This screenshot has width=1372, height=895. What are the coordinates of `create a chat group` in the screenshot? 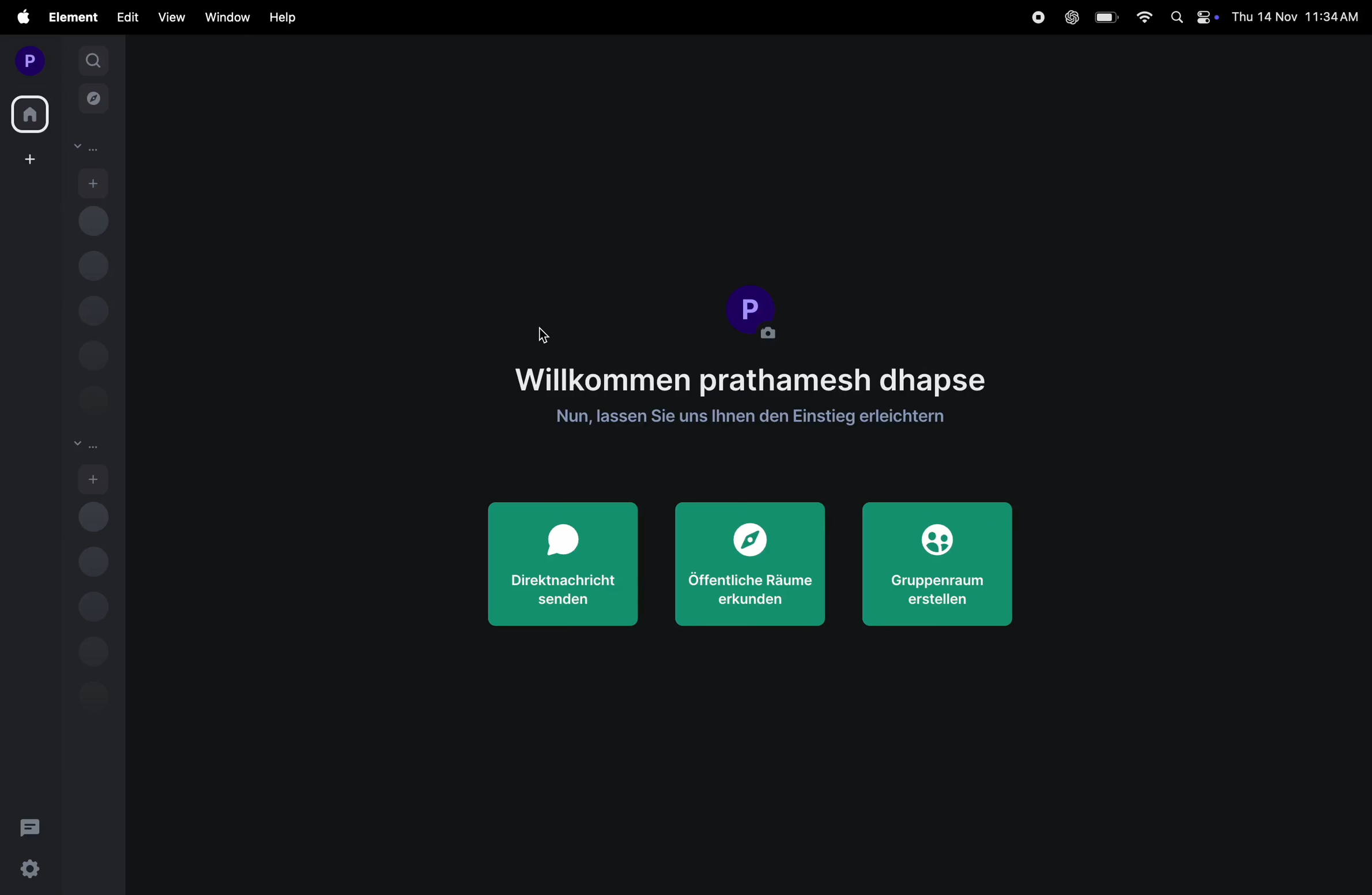 It's located at (942, 569).